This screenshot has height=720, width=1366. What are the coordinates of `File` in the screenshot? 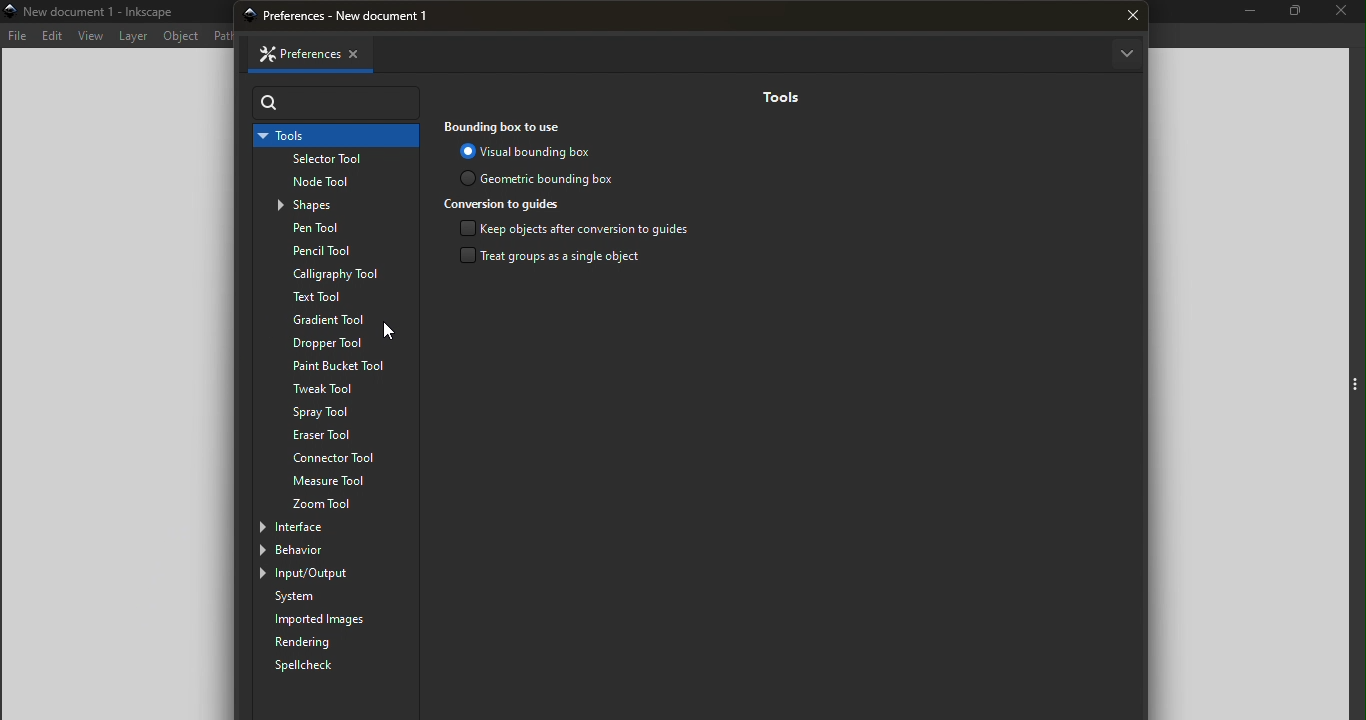 It's located at (16, 36).